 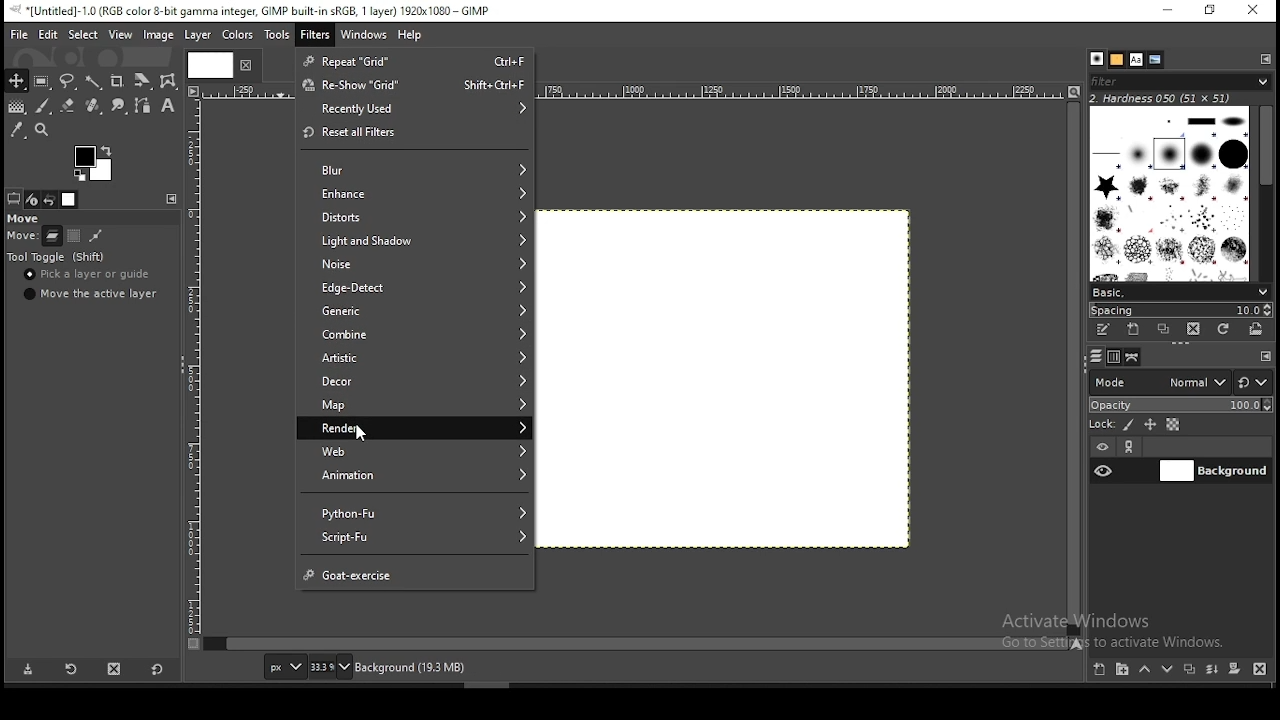 What do you see at coordinates (1075, 367) in the screenshot?
I see `horizontal scroll bar` at bounding box center [1075, 367].